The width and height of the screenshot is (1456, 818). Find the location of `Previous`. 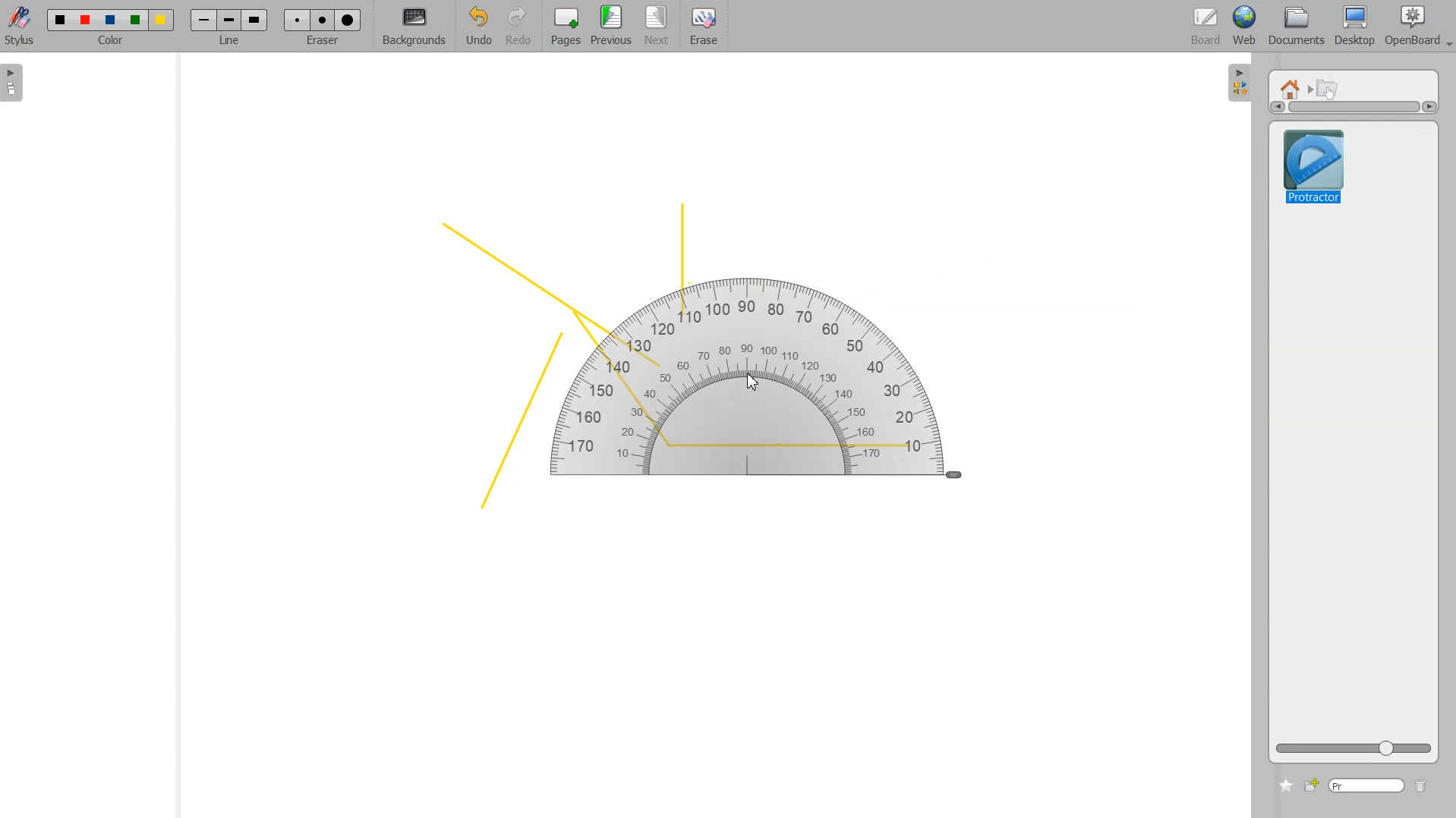

Previous is located at coordinates (613, 27).